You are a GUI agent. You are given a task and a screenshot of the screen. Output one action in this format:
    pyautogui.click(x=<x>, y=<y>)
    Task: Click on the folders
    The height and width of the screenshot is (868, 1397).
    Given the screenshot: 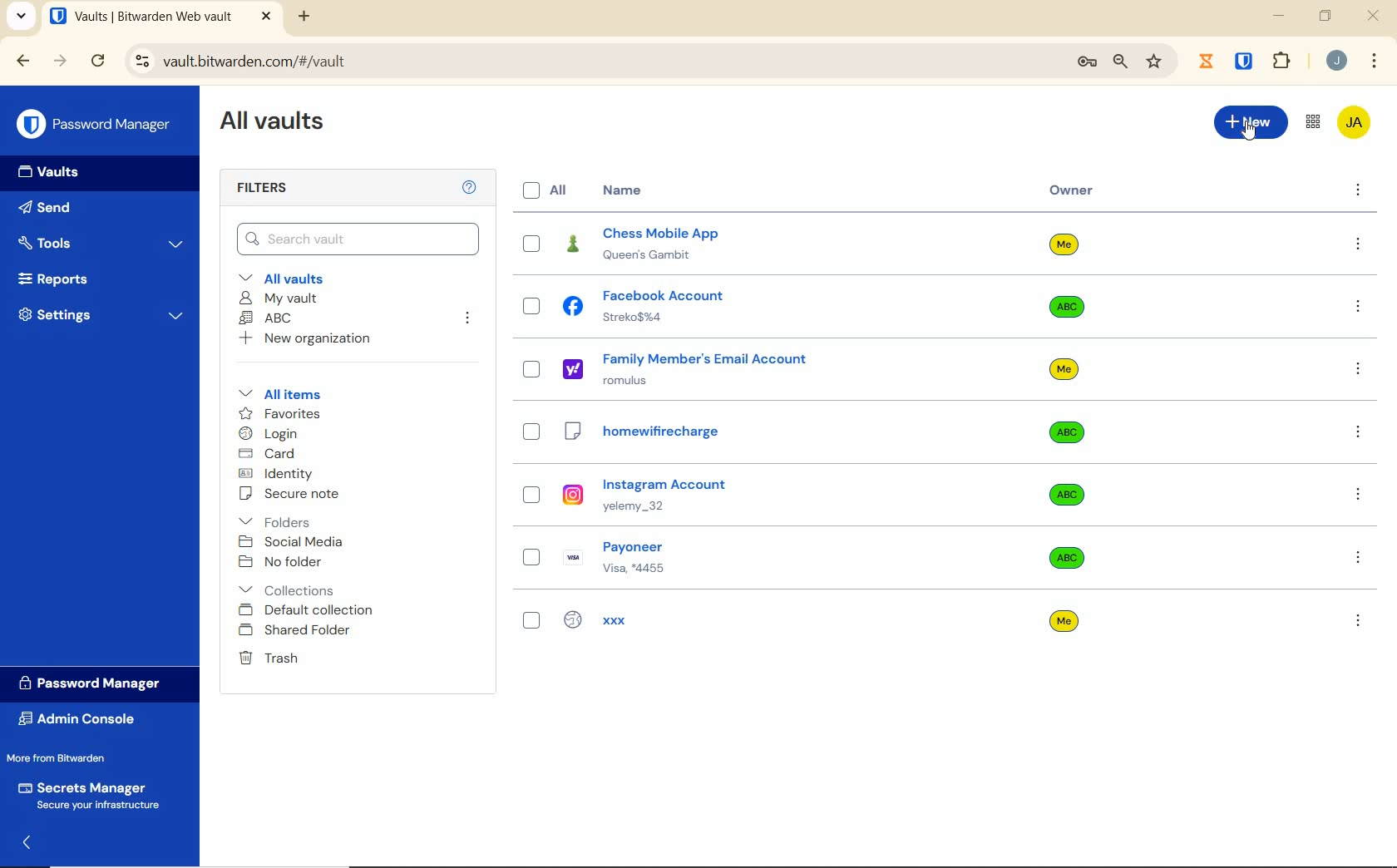 What is the action you would take?
    pyautogui.click(x=277, y=522)
    